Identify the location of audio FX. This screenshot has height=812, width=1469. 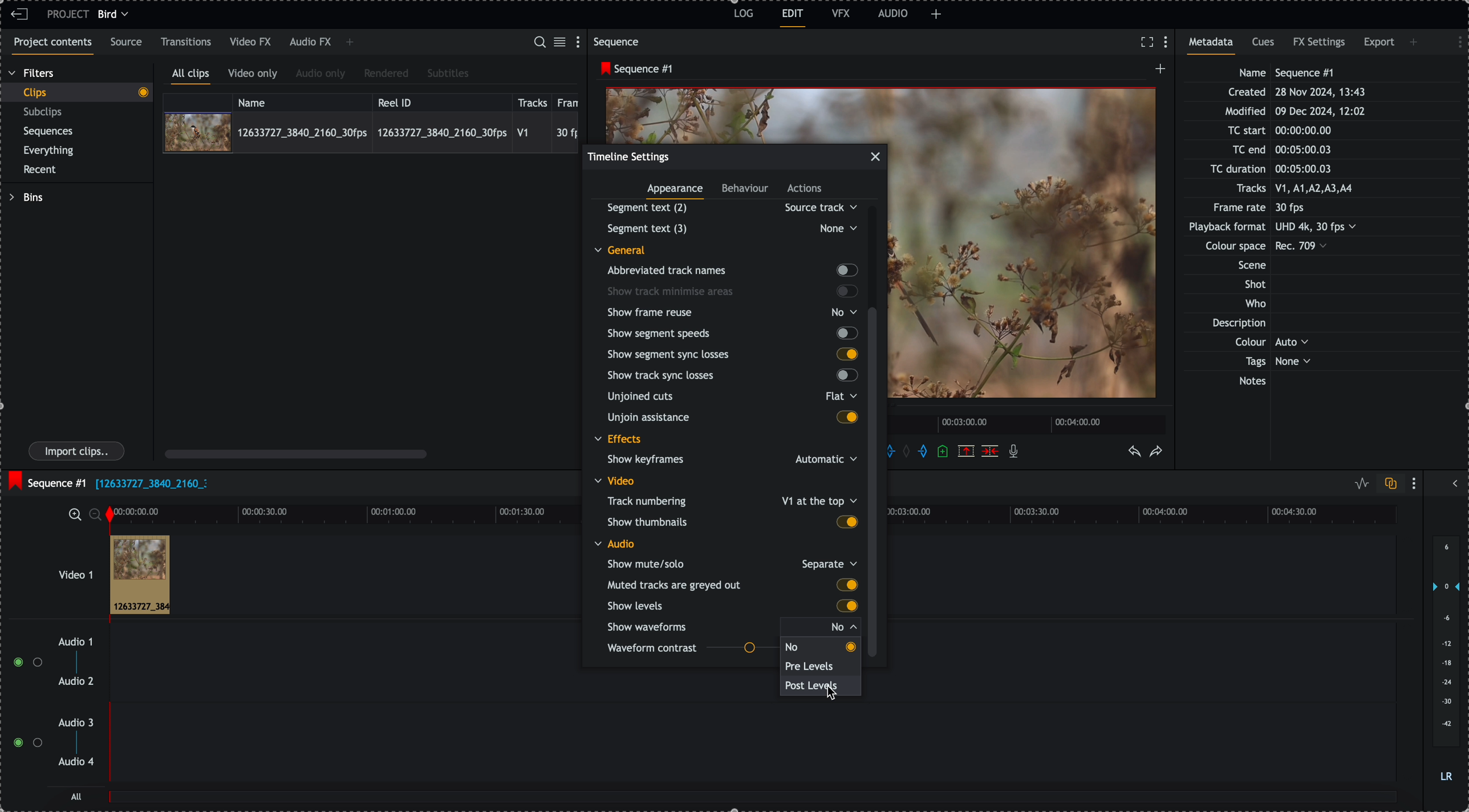
(310, 43).